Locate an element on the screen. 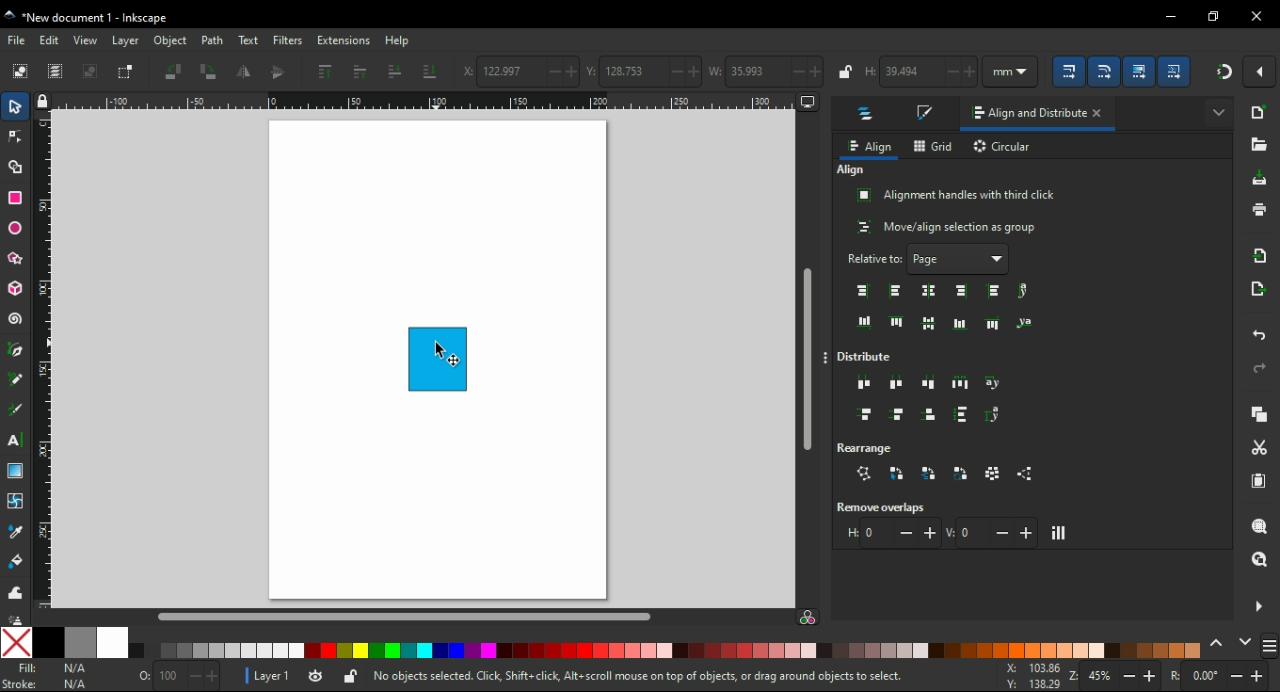 This screenshot has width=1280, height=692. remove overlaps is located at coordinates (880, 507).